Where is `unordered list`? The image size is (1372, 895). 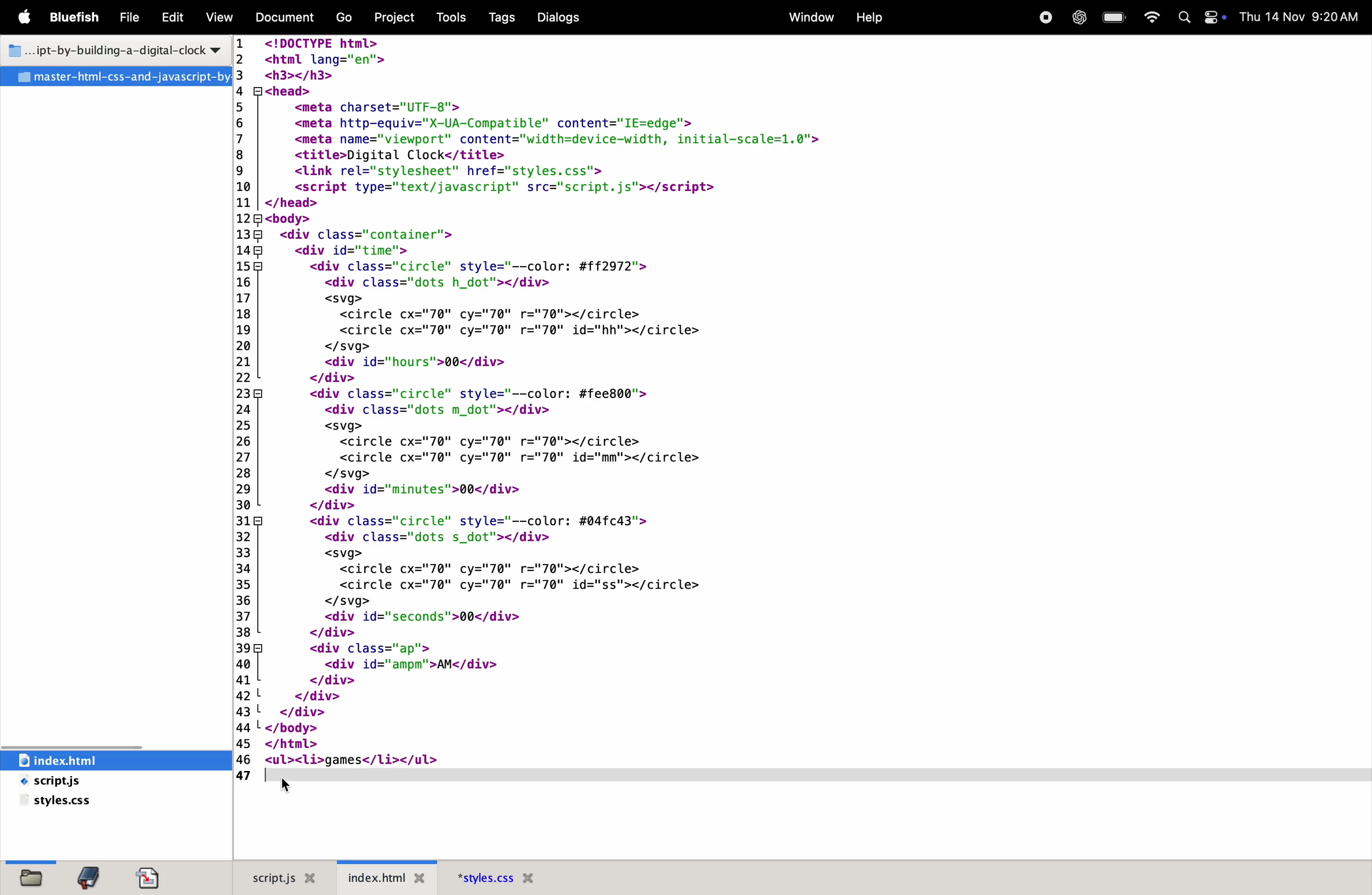
unordered list is located at coordinates (310, 761).